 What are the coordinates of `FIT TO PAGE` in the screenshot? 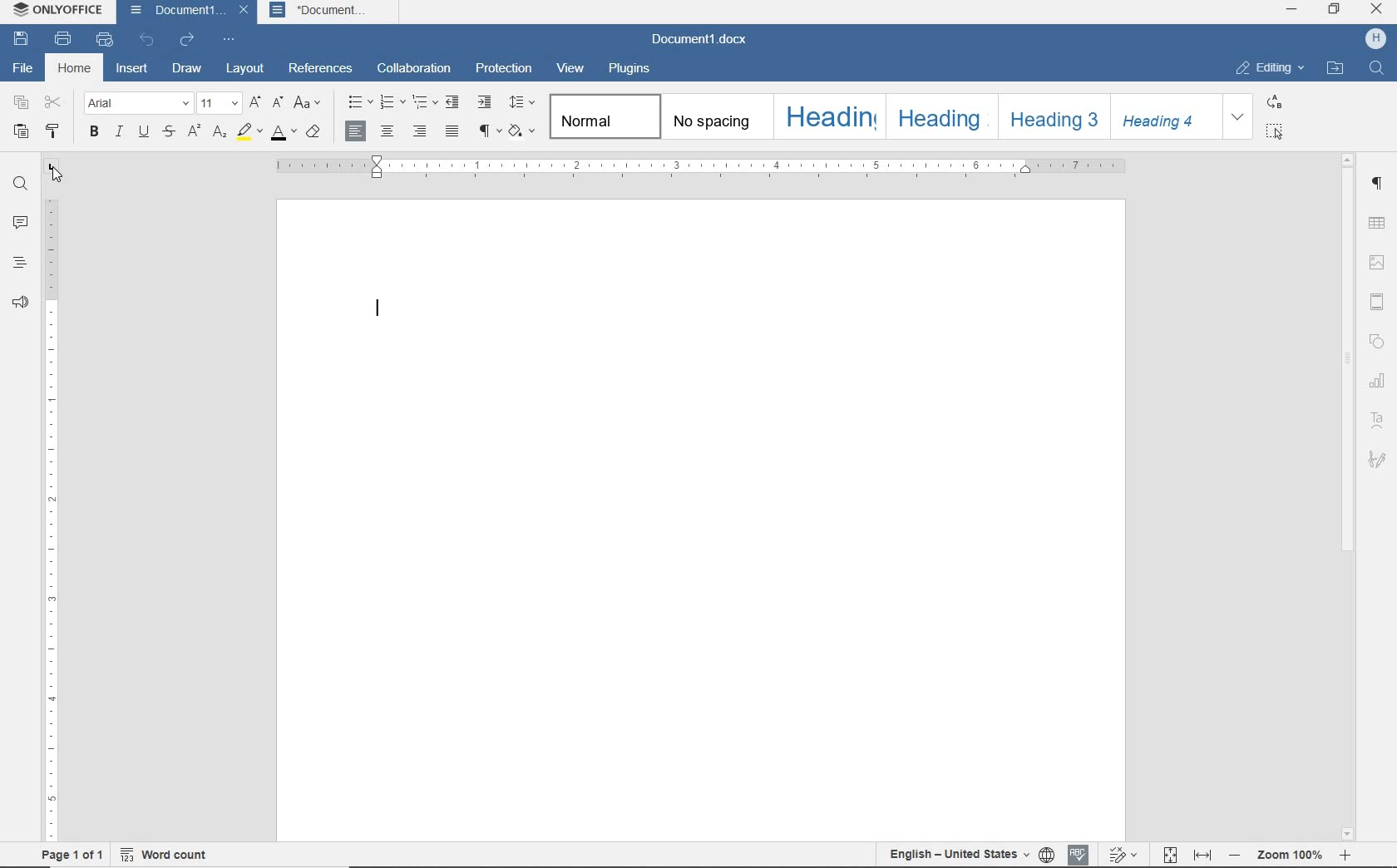 It's located at (1167, 855).